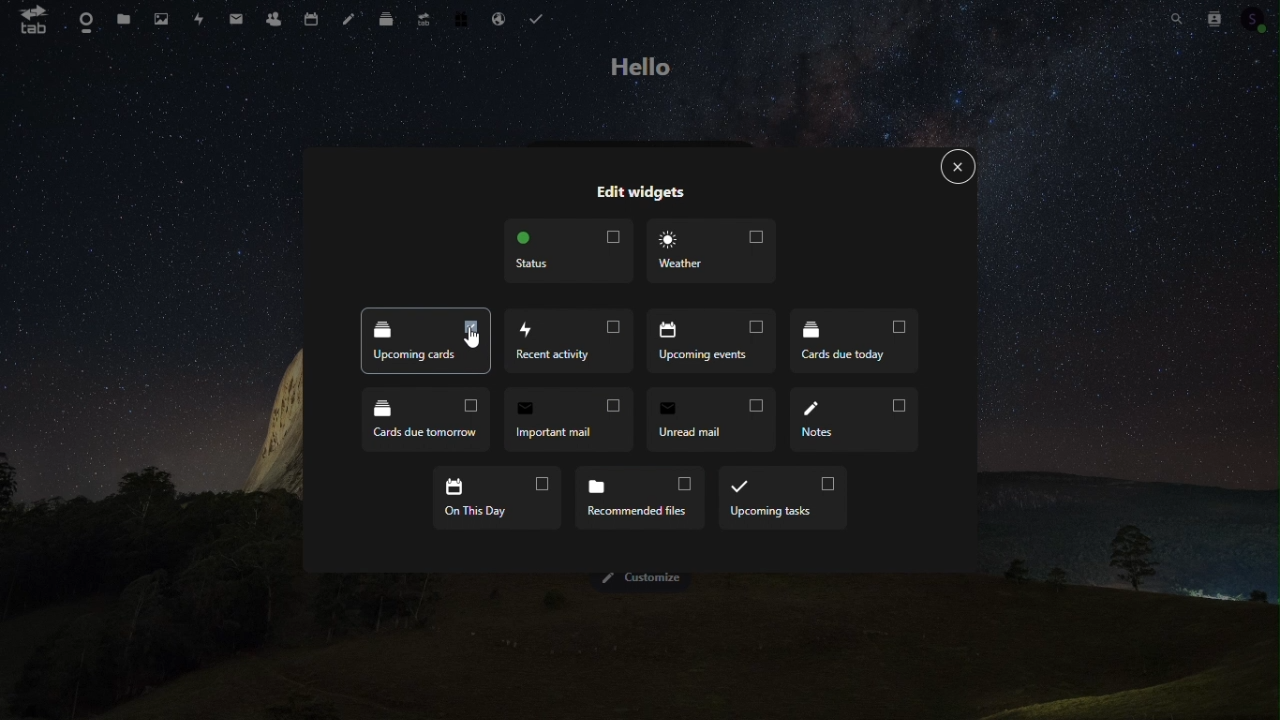  I want to click on Status, so click(567, 250).